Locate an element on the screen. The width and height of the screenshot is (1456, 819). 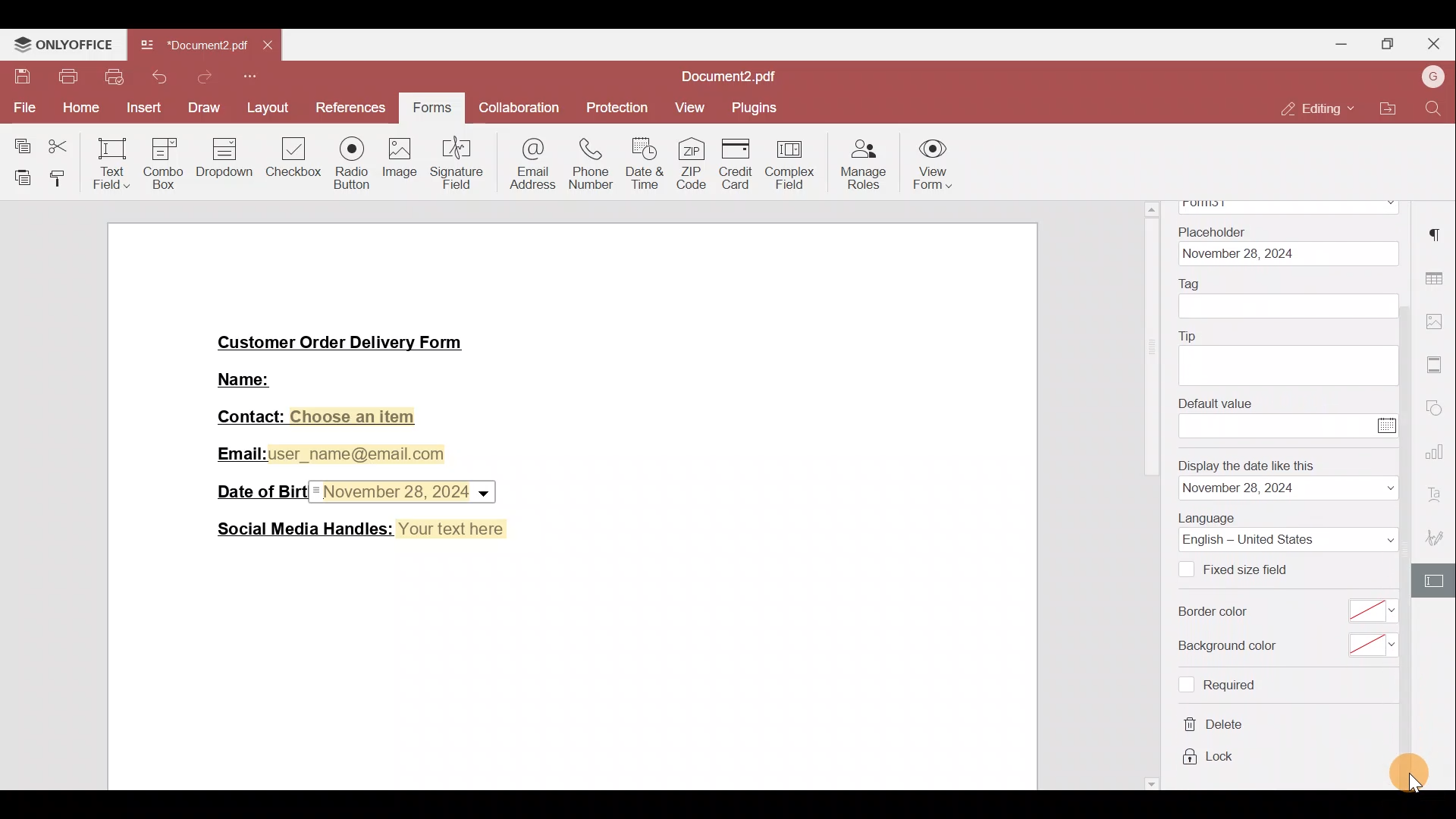
scrollbar is located at coordinates (1153, 496).